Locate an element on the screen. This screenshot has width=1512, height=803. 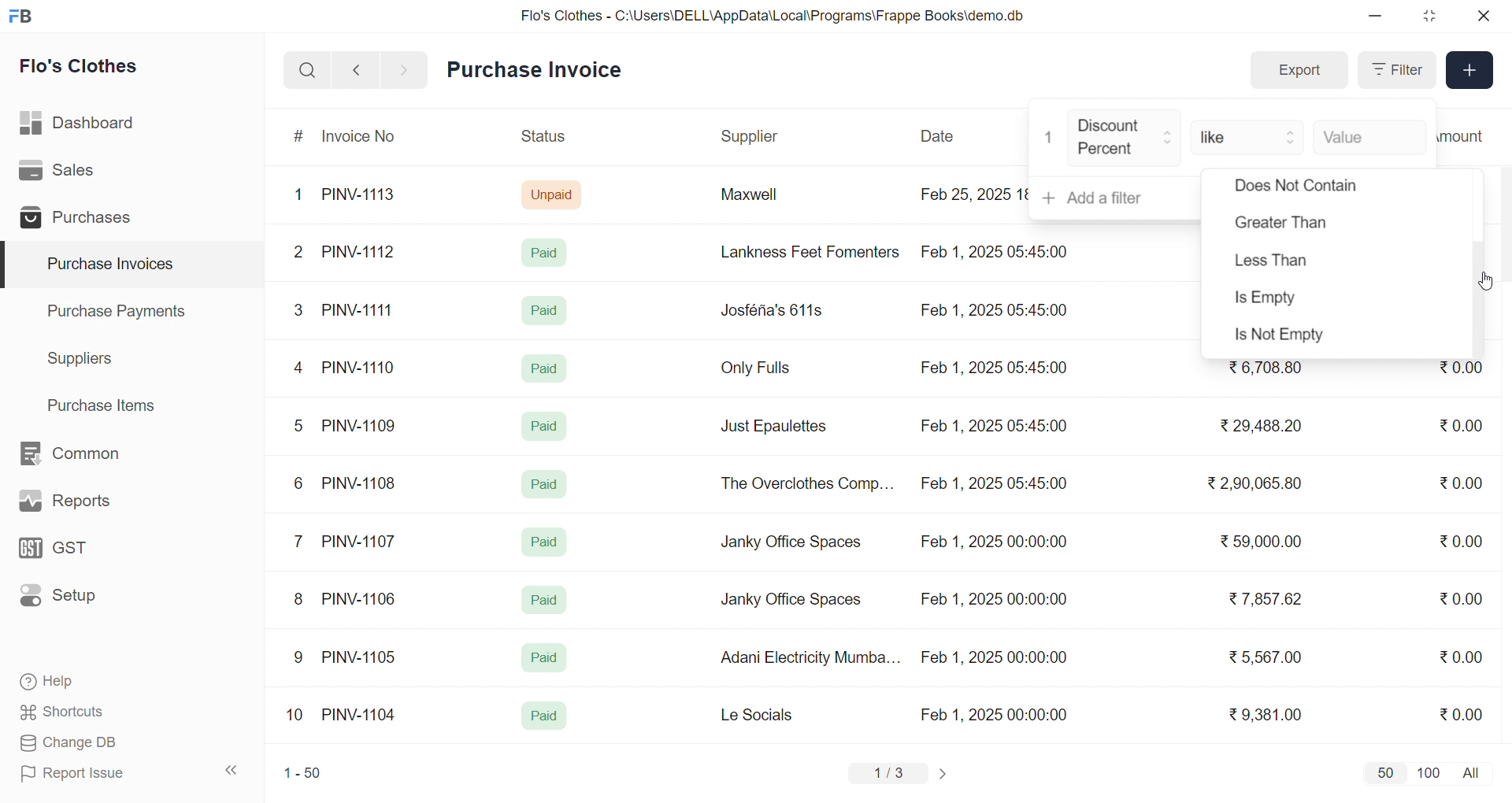
Paid is located at coordinates (547, 424).